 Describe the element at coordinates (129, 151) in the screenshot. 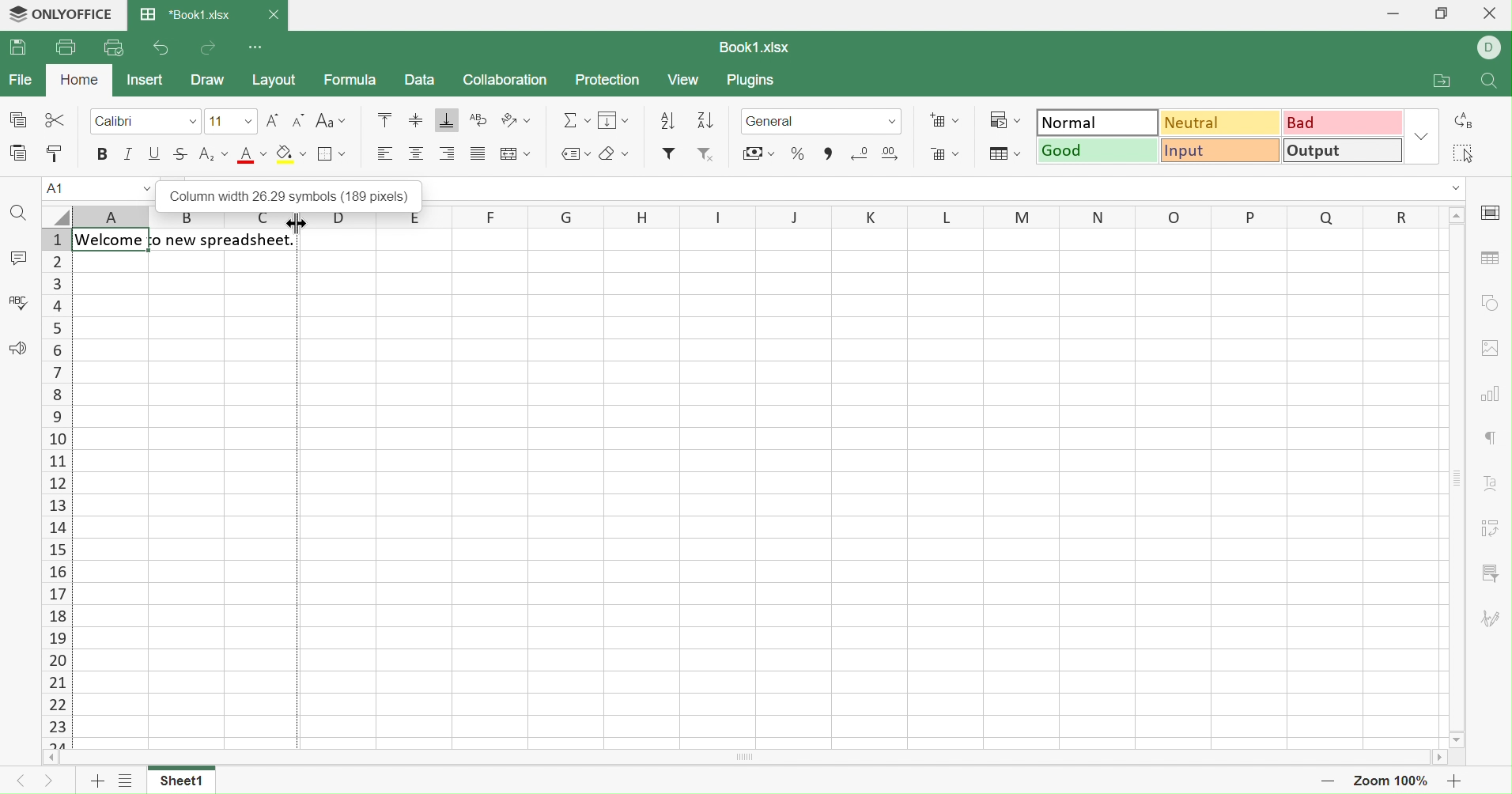

I see `Italic` at that location.